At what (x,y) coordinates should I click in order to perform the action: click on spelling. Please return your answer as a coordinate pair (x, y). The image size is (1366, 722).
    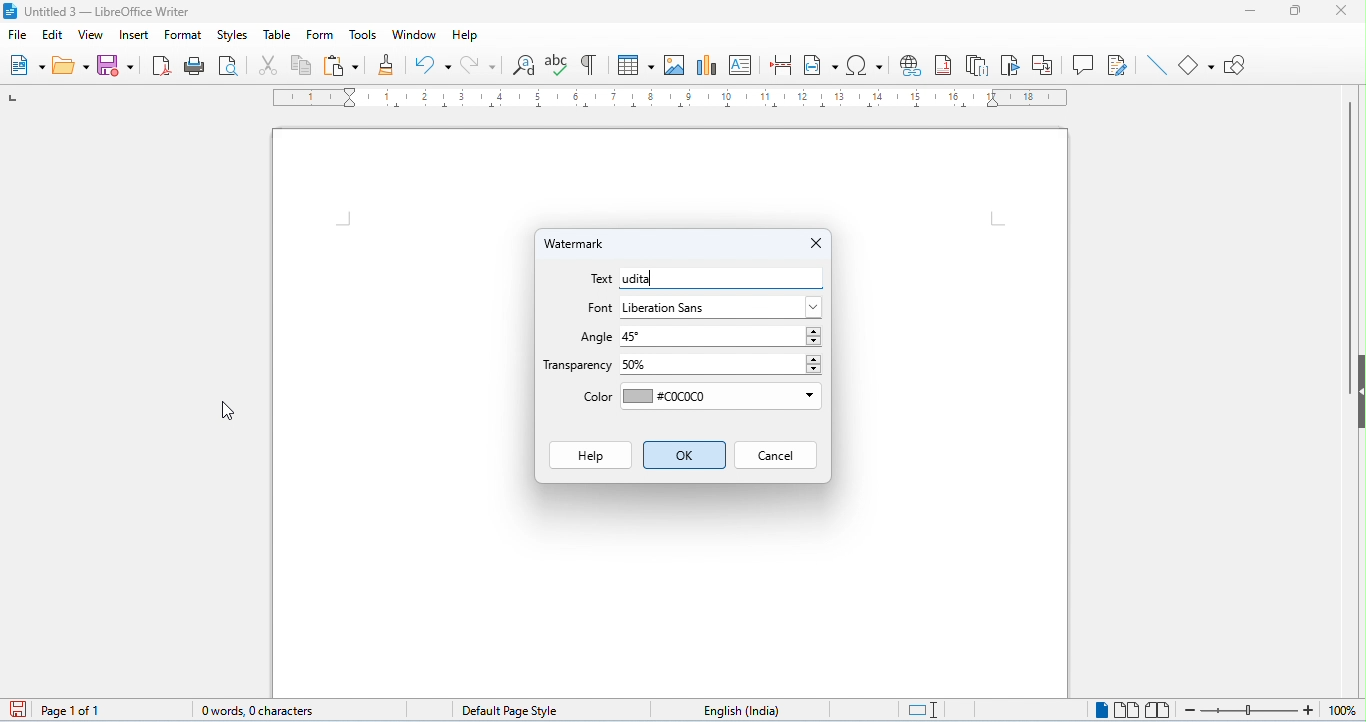
    Looking at the image, I should click on (558, 65).